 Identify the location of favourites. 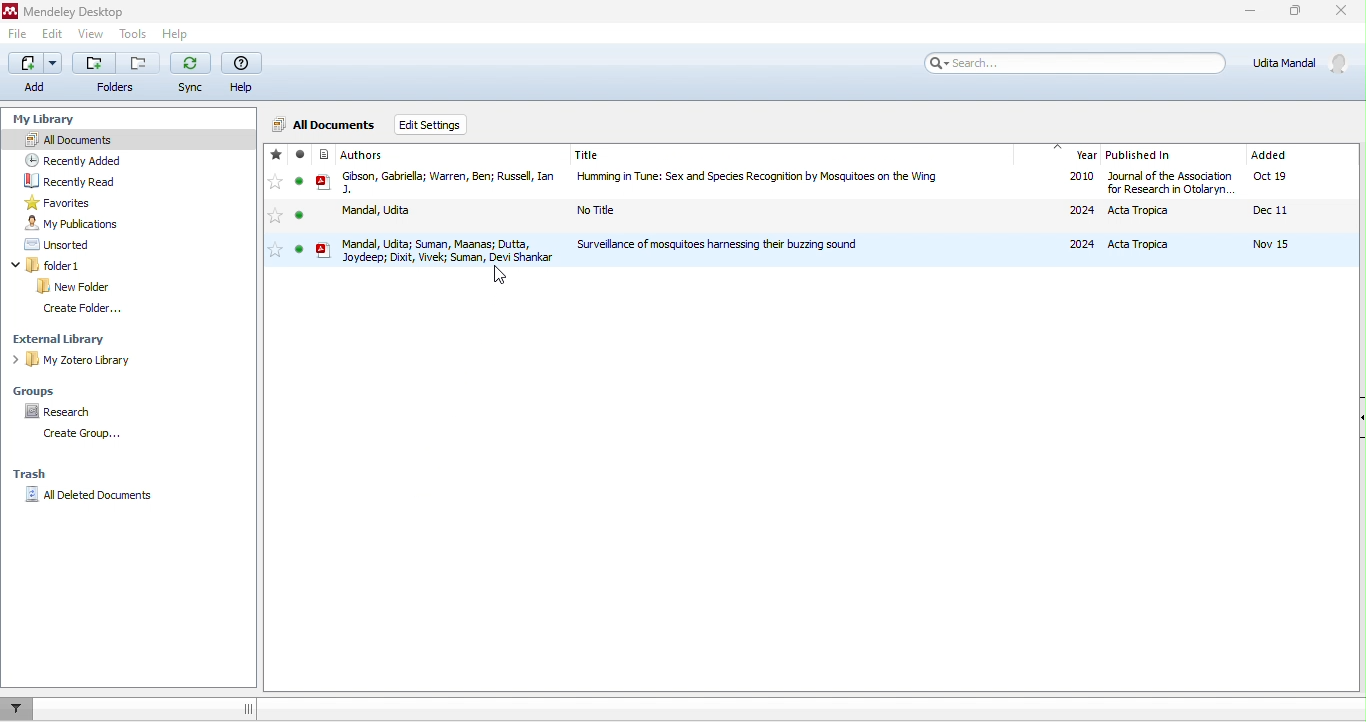
(67, 202).